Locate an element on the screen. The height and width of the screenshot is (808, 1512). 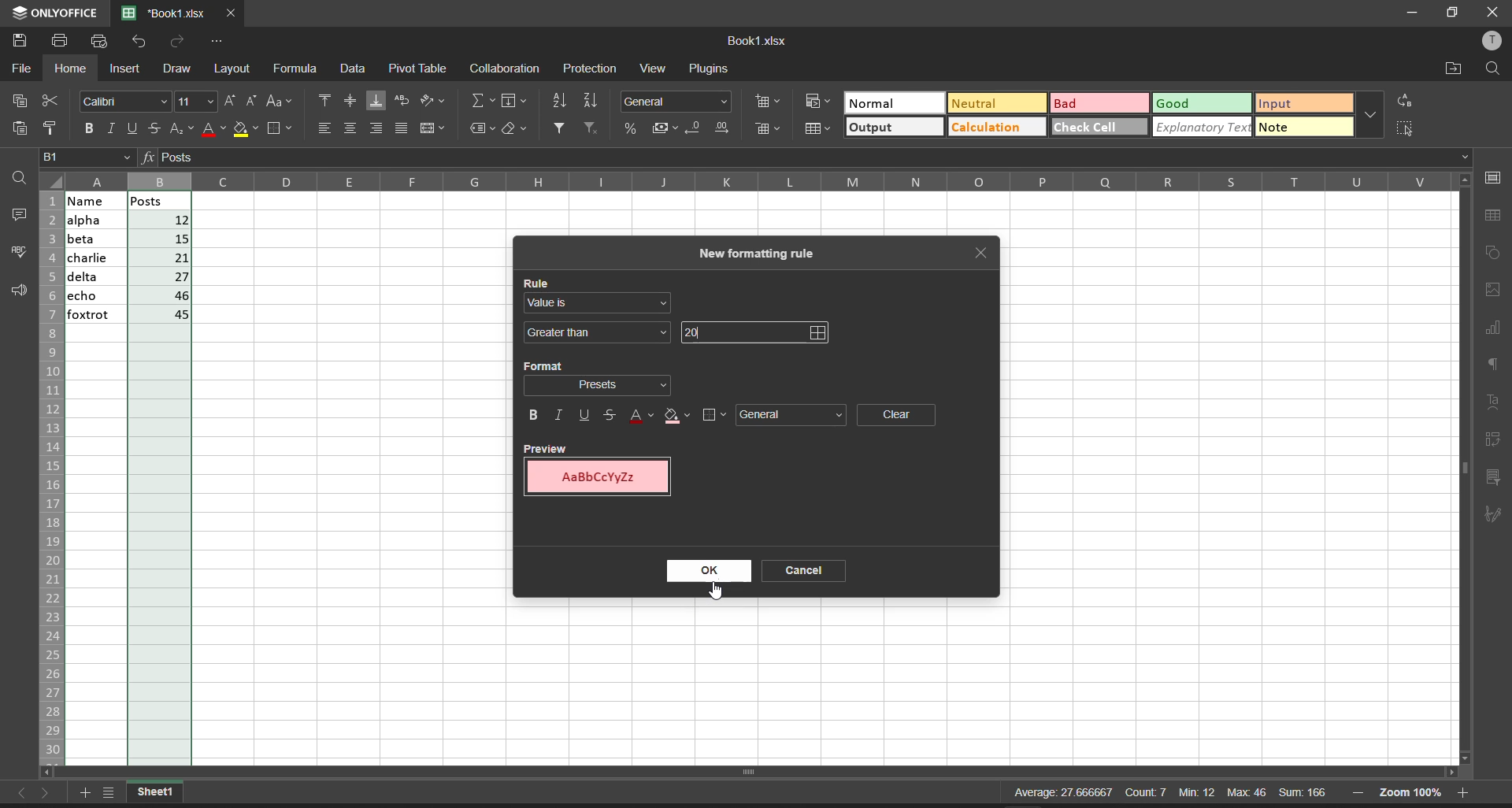
Average: 27.666667 Count:7 Min: 12 Max 46 Sum: 166 is located at coordinates (1157, 794).